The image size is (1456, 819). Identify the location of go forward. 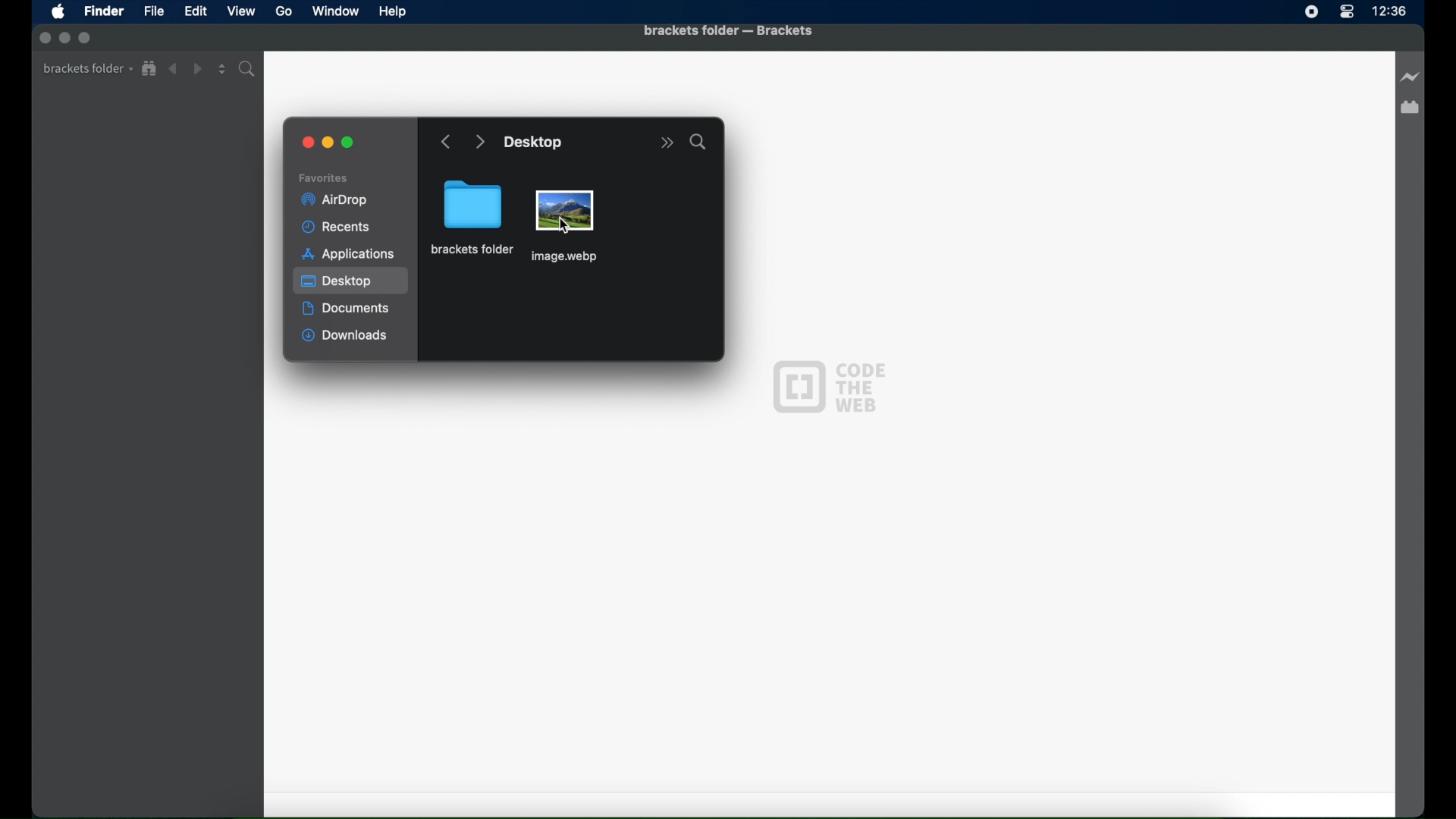
(479, 143).